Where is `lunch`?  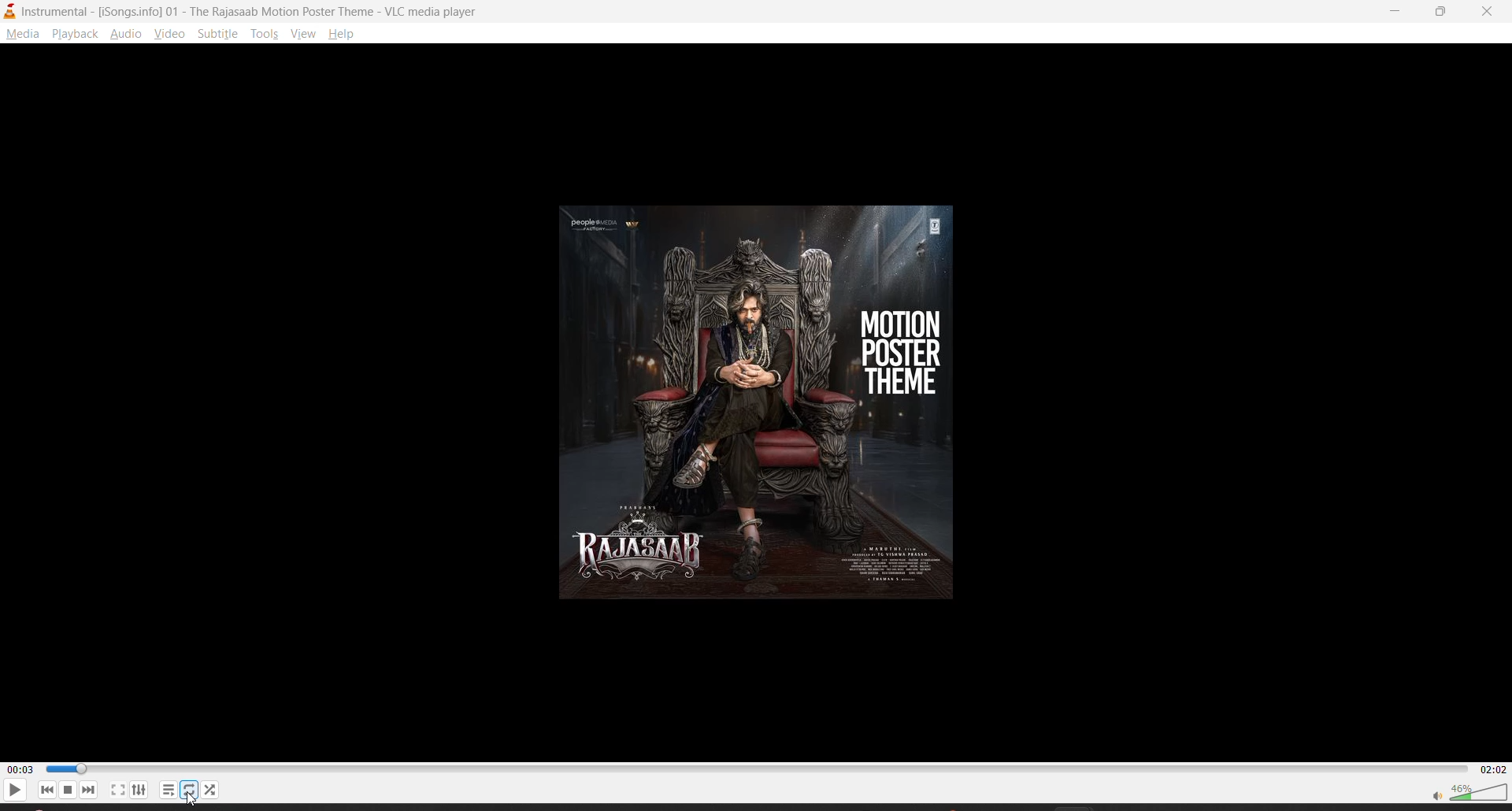 lunch is located at coordinates (65, 788).